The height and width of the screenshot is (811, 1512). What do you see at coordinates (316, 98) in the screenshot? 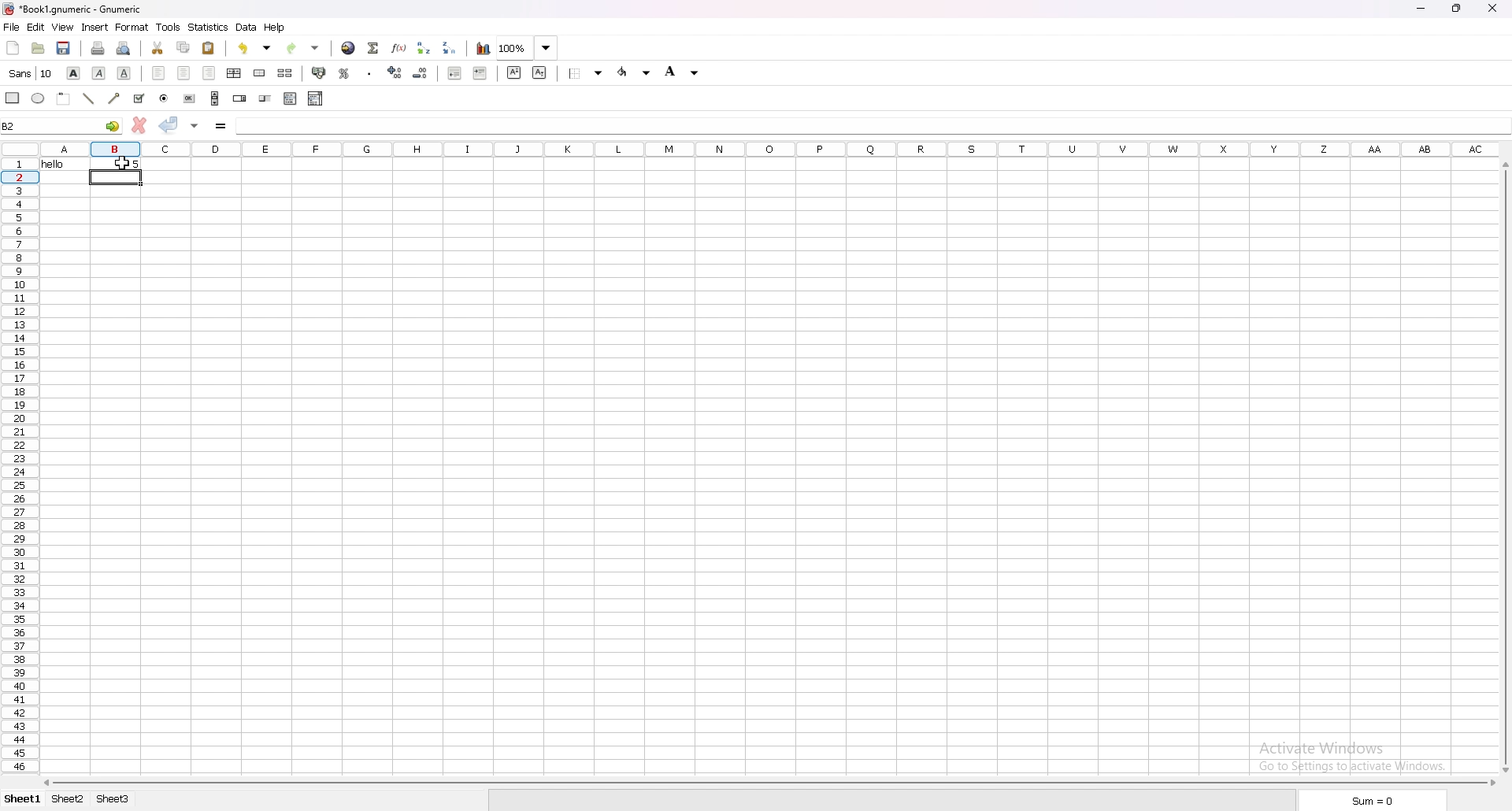
I see `combo box` at bounding box center [316, 98].